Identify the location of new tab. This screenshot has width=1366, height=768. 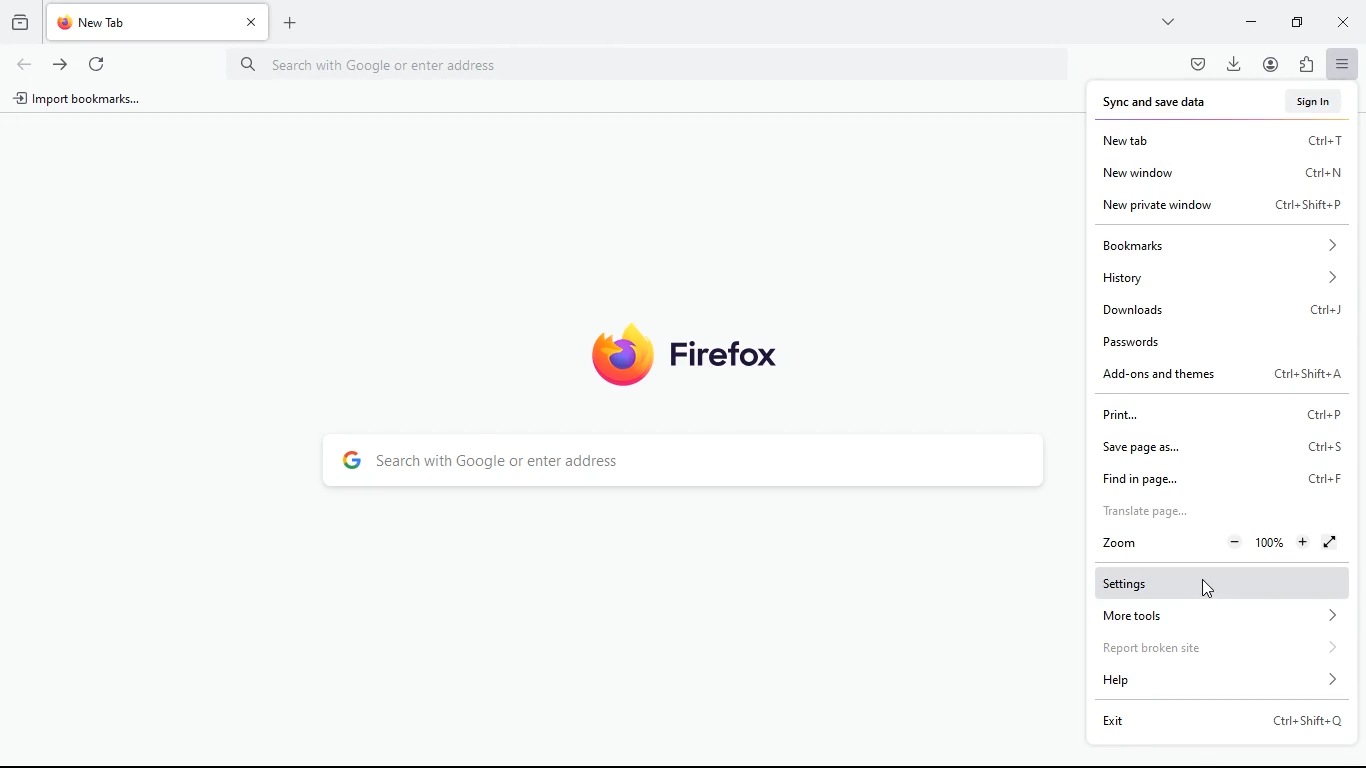
(1226, 140).